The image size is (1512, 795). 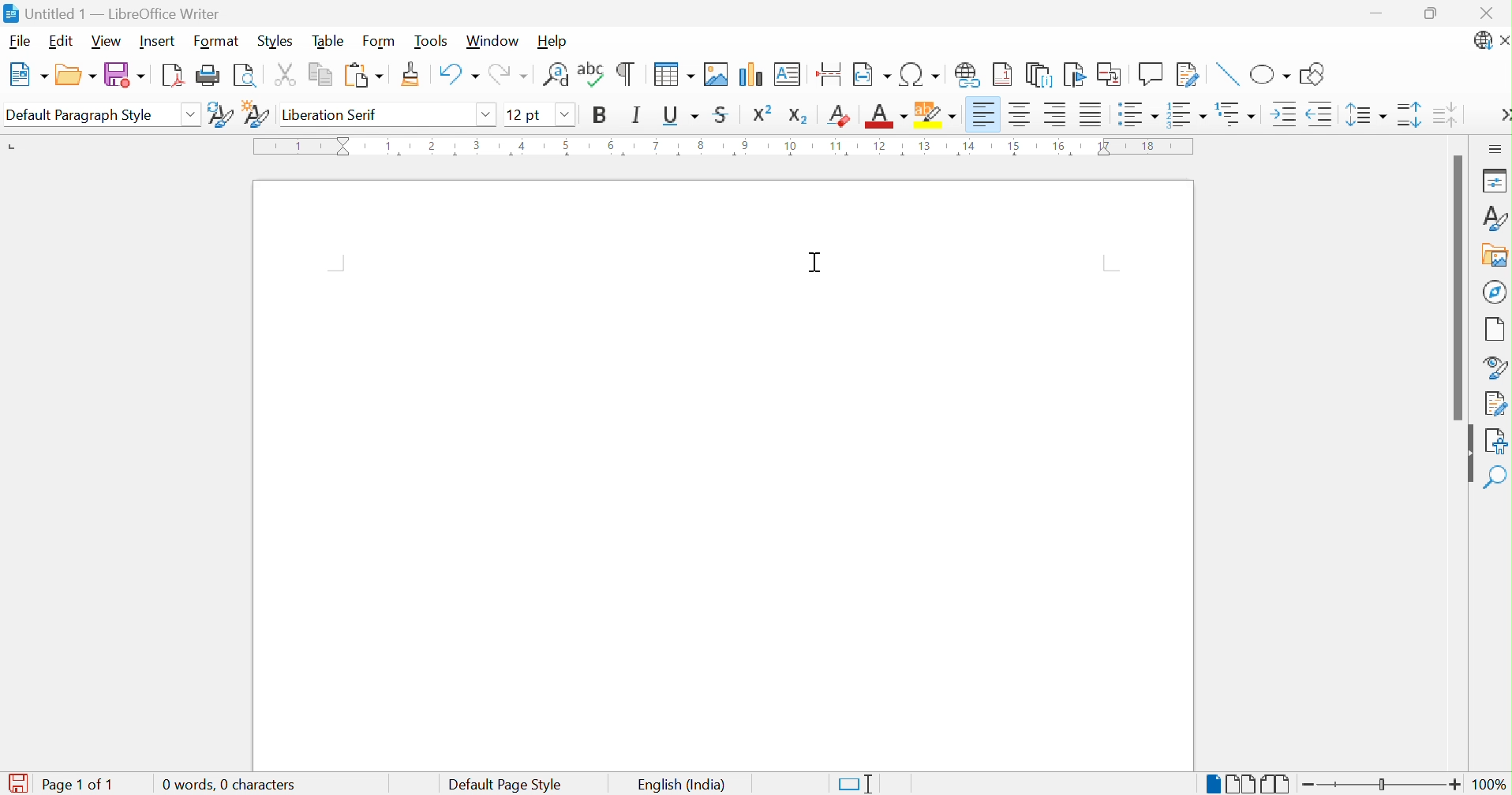 I want to click on Style inspector, so click(x=1497, y=368).